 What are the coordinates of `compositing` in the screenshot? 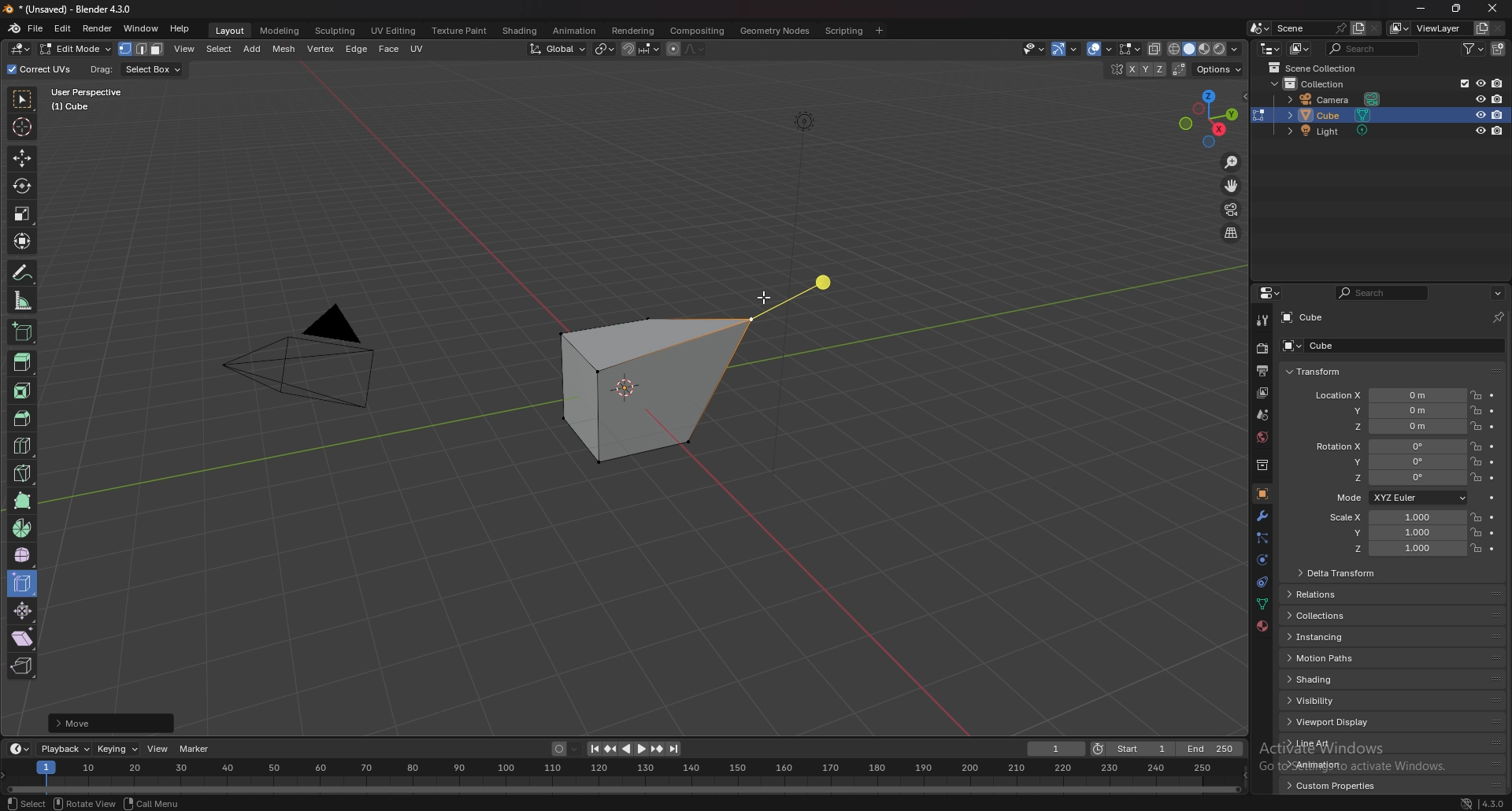 It's located at (698, 31).